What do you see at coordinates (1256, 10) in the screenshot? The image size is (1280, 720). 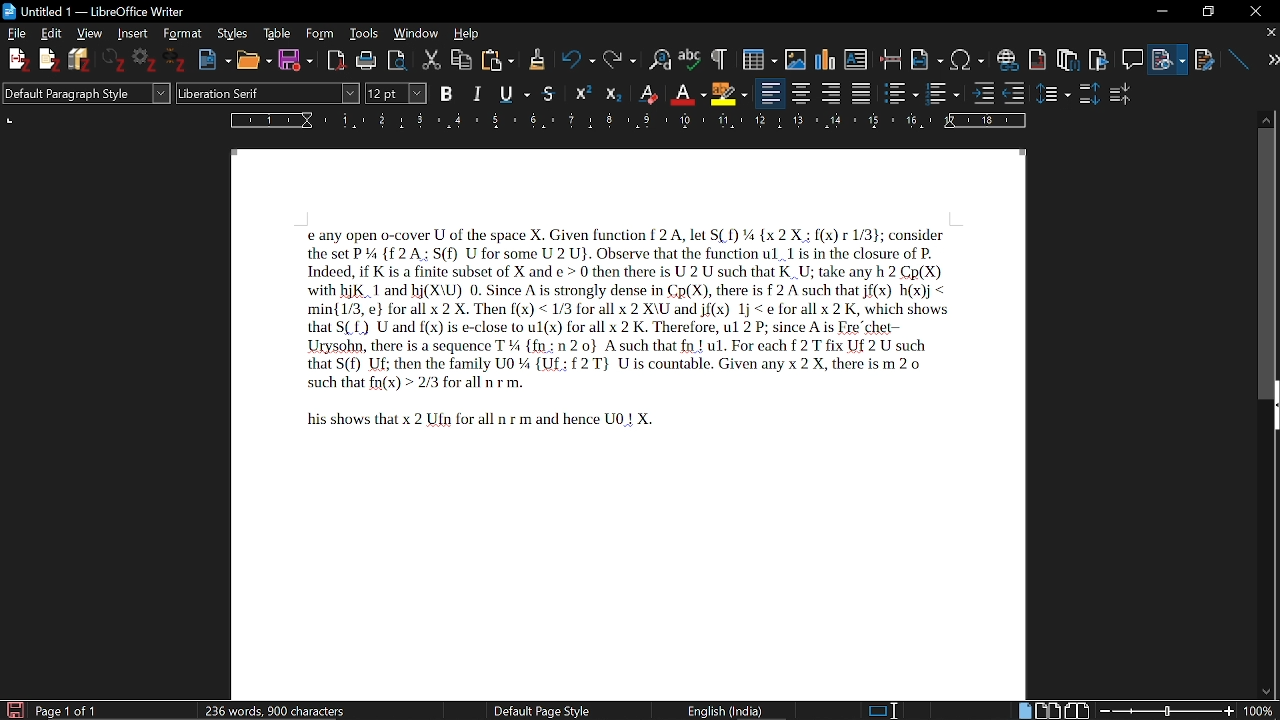 I see `close` at bounding box center [1256, 10].